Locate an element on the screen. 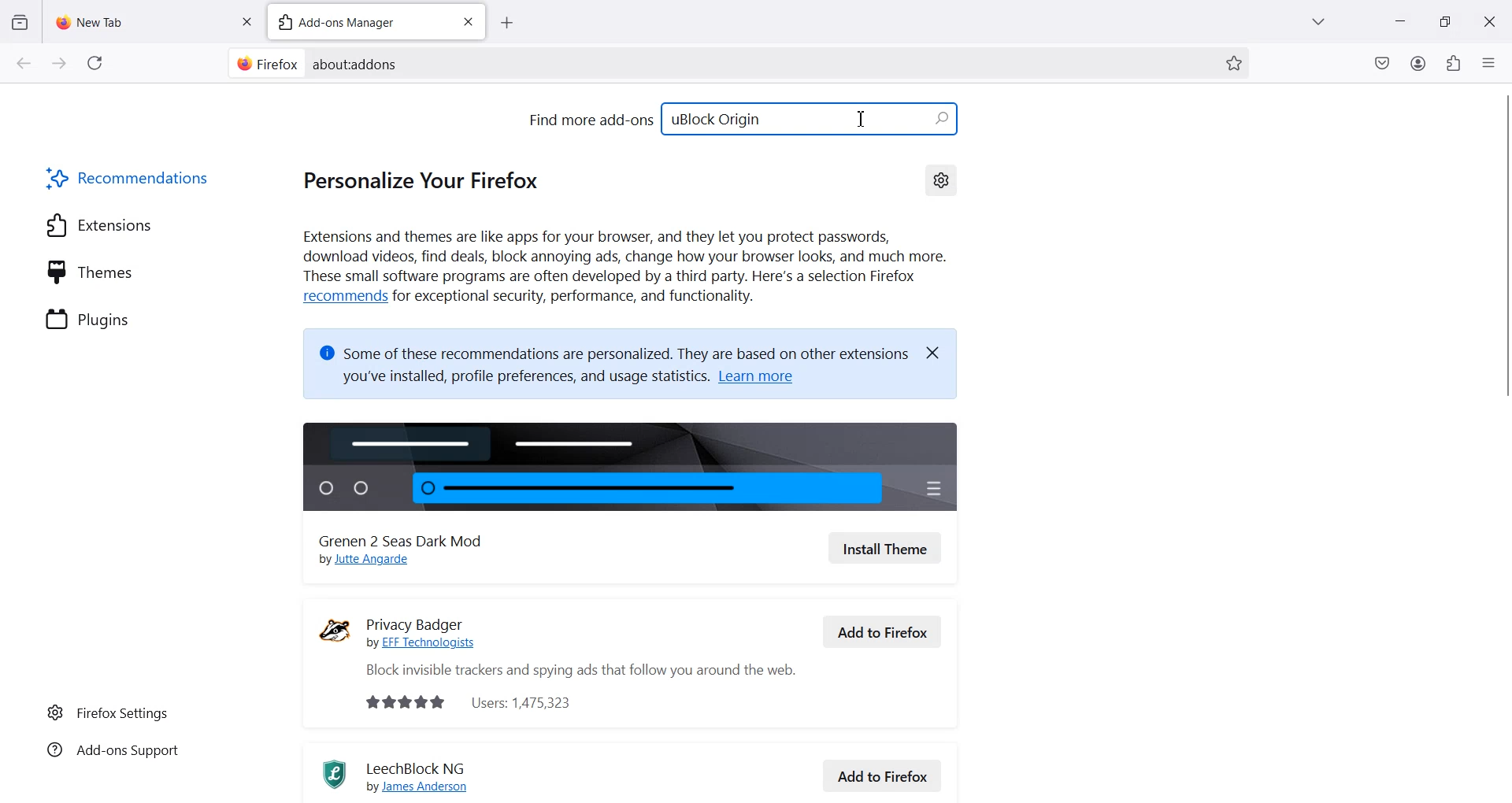 This screenshot has height=803, width=1512. Plugins is located at coordinates (90, 317).